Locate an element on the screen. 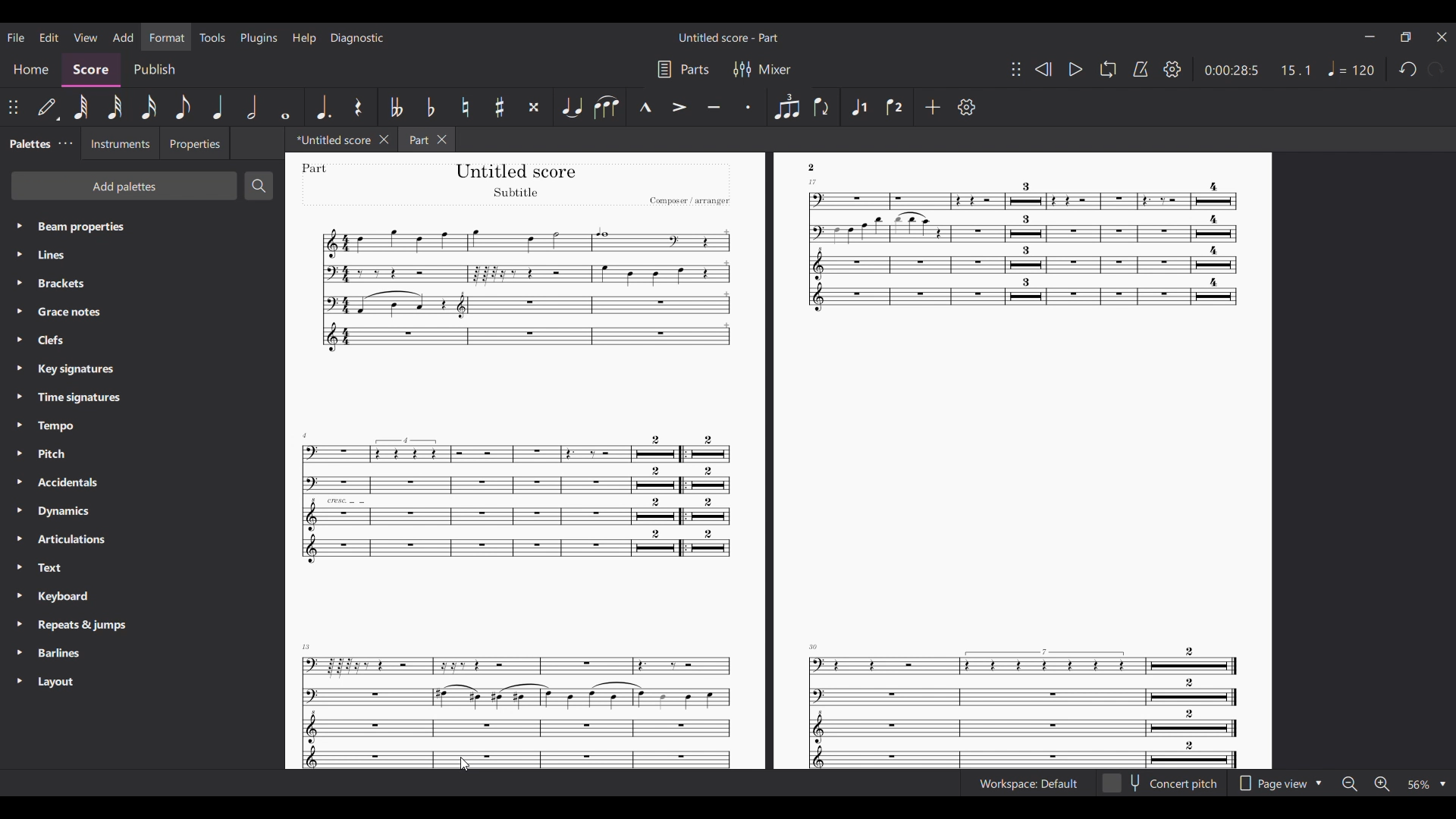  Barliness is located at coordinates (61, 651).